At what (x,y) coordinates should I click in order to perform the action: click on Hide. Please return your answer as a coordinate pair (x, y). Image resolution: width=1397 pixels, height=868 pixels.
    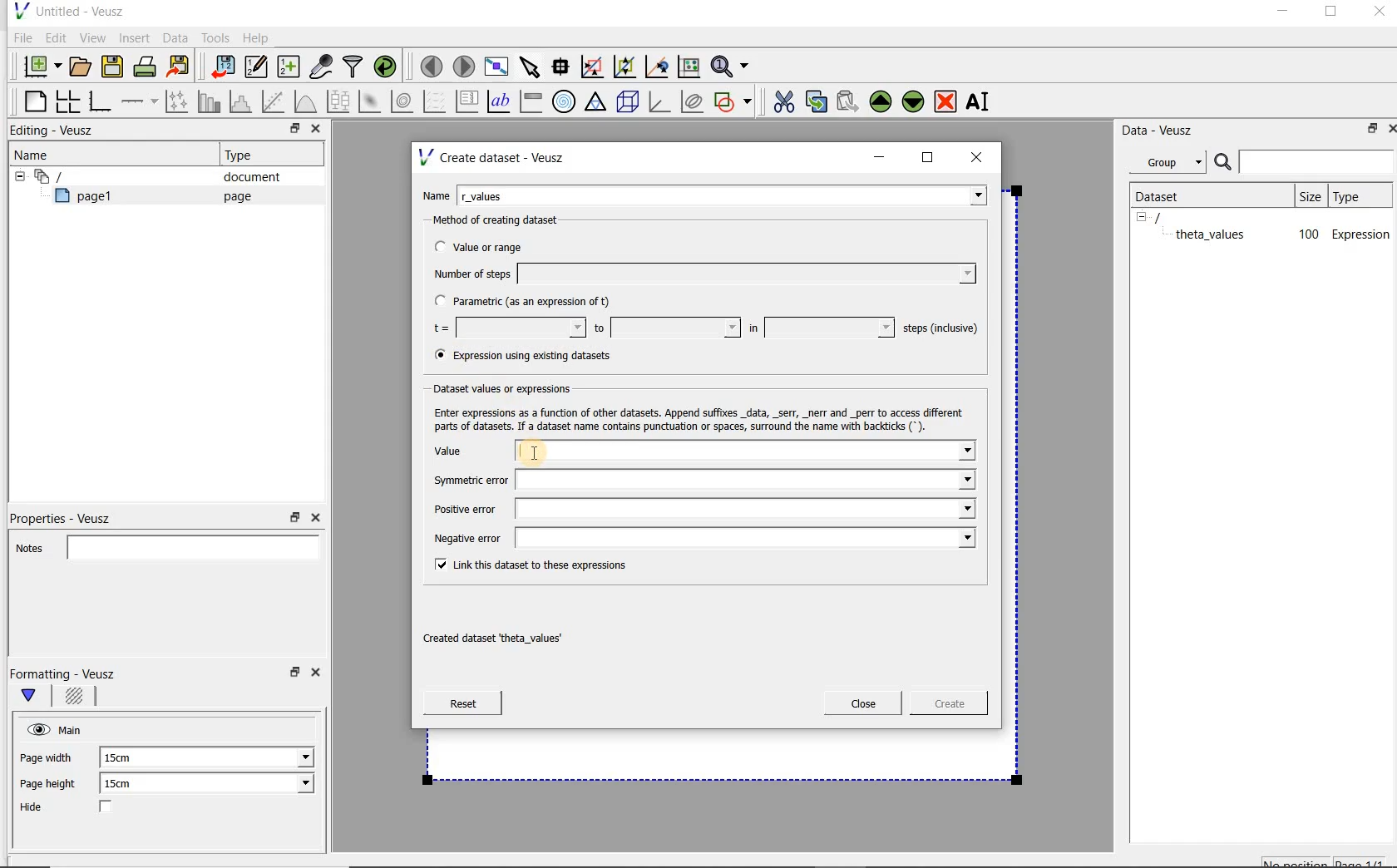
    Looking at the image, I should click on (82, 808).